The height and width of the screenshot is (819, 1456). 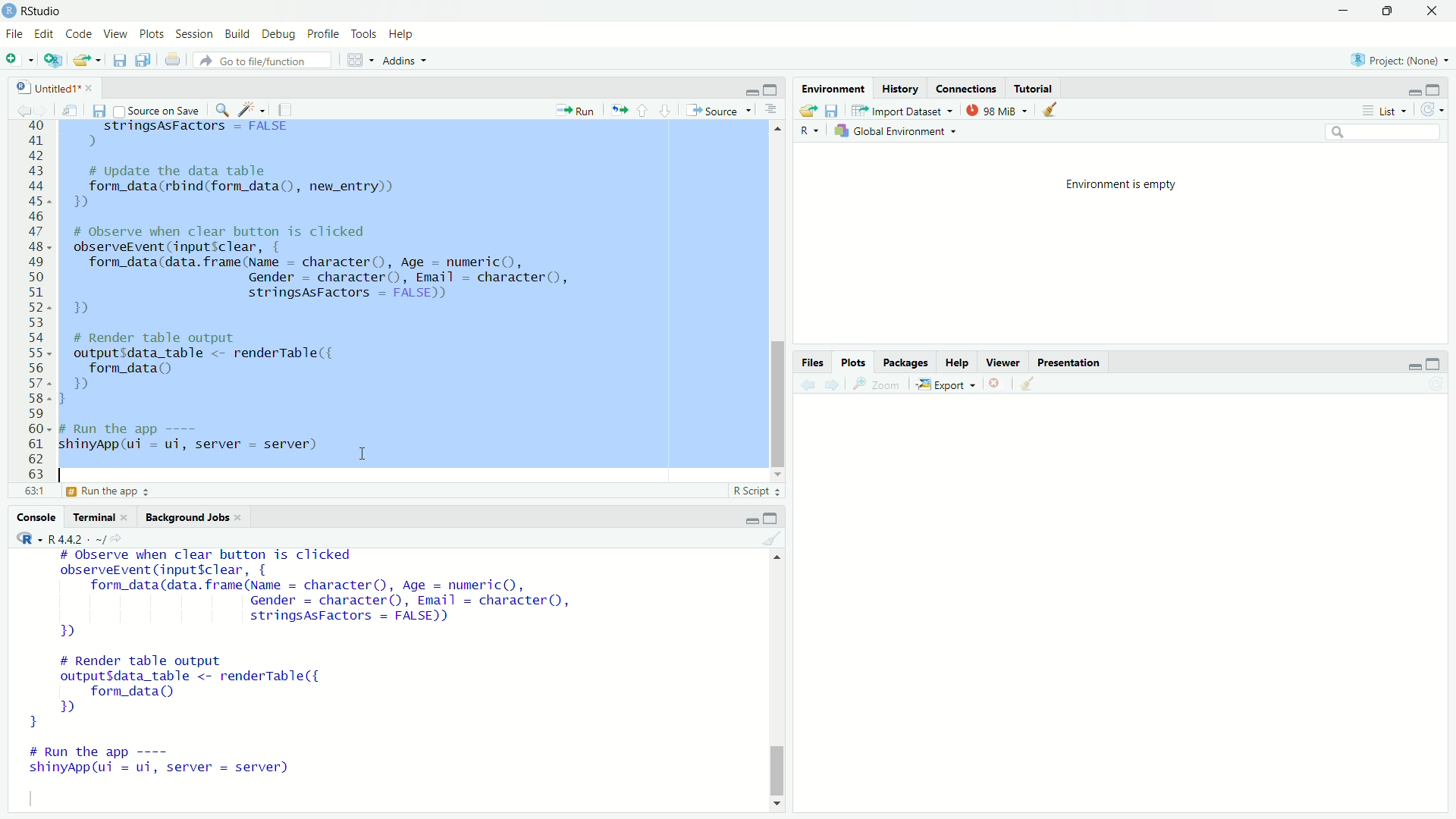 What do you see at coordinates (53, 60) in the screenshot?
I see `create a project` at bounding box center [53, 60].